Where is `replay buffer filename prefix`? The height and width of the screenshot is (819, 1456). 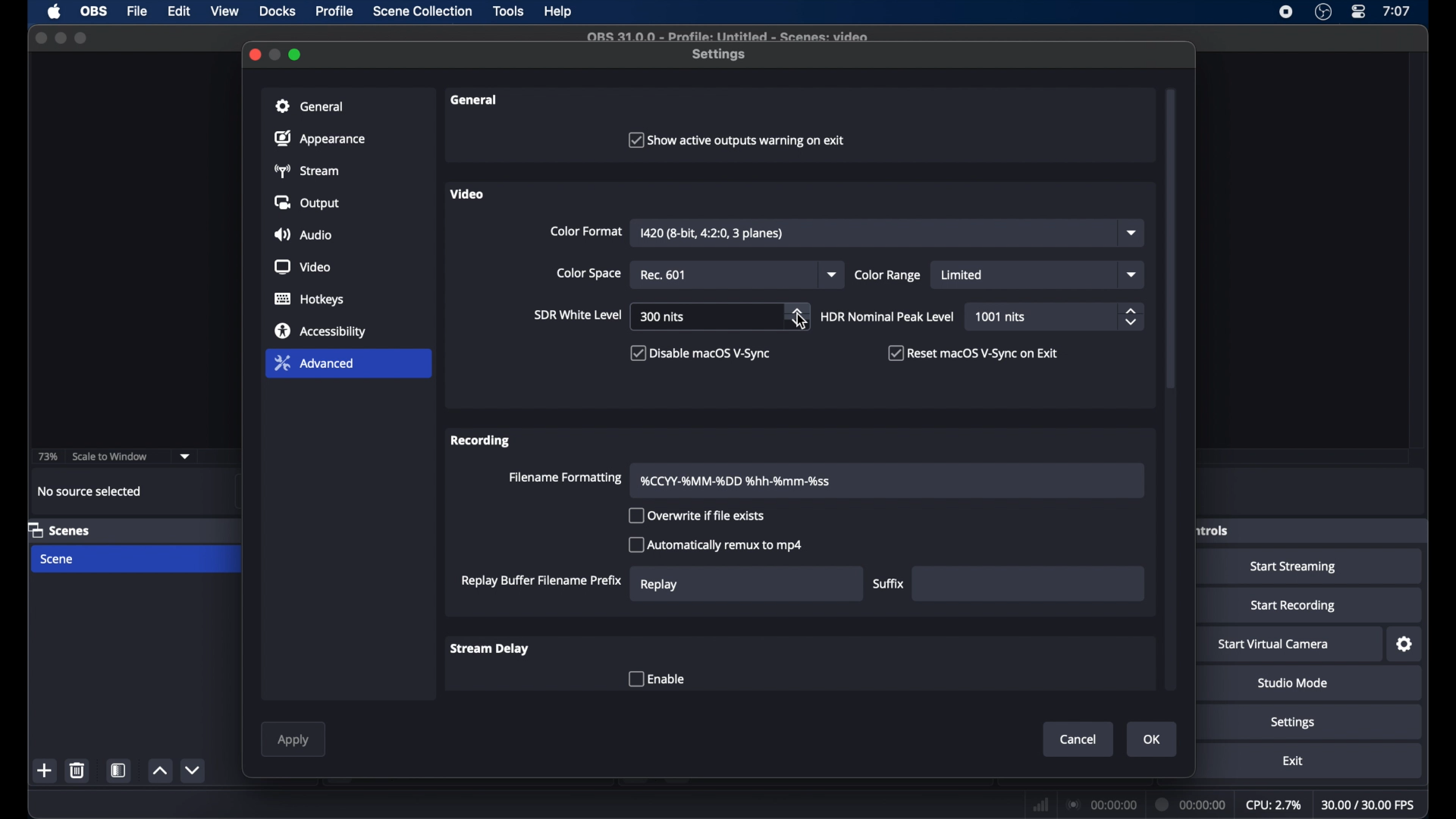
replay buffer filename prefix is located at coordinates (541, 582).